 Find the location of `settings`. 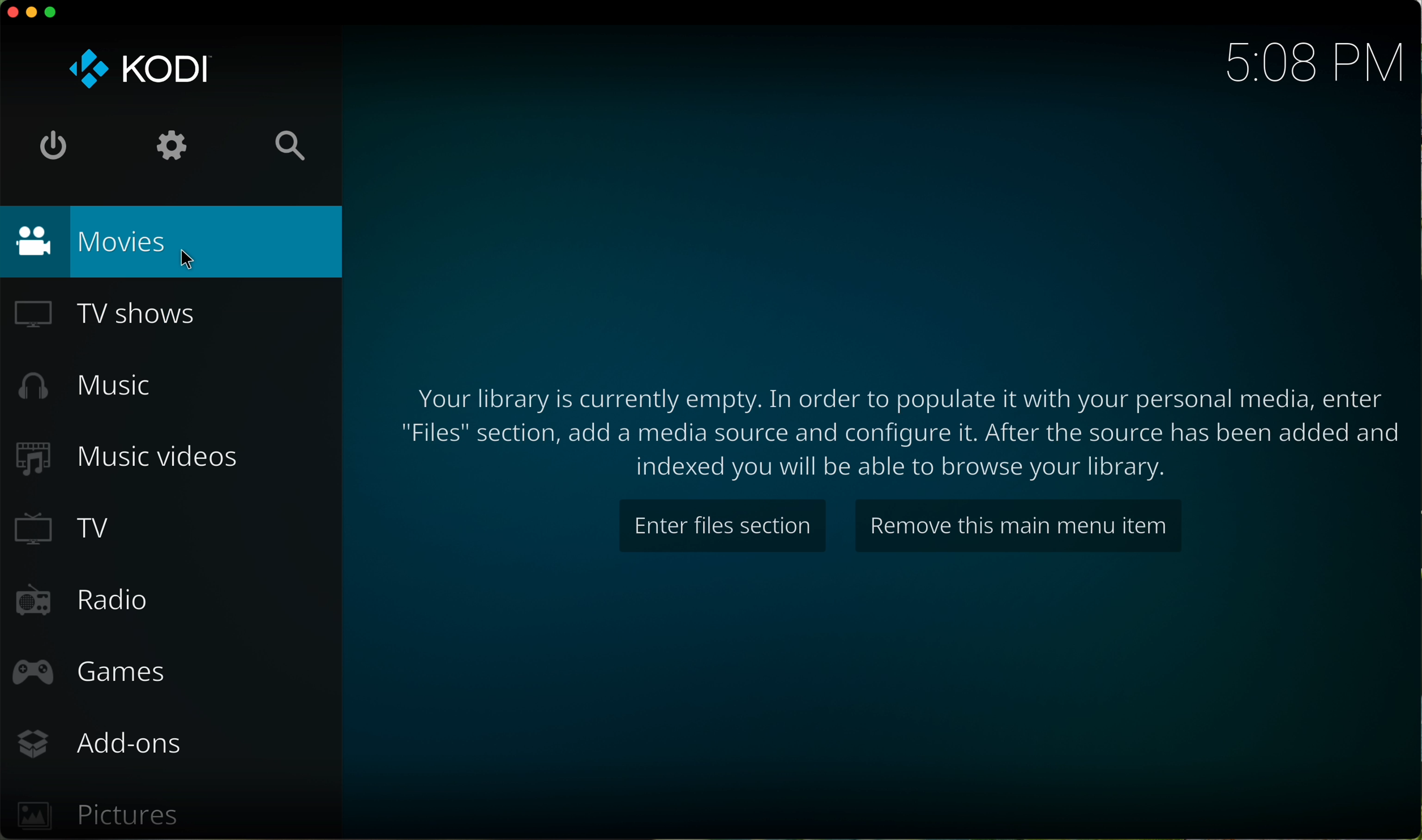

settings is located at coordinates (174, 144).